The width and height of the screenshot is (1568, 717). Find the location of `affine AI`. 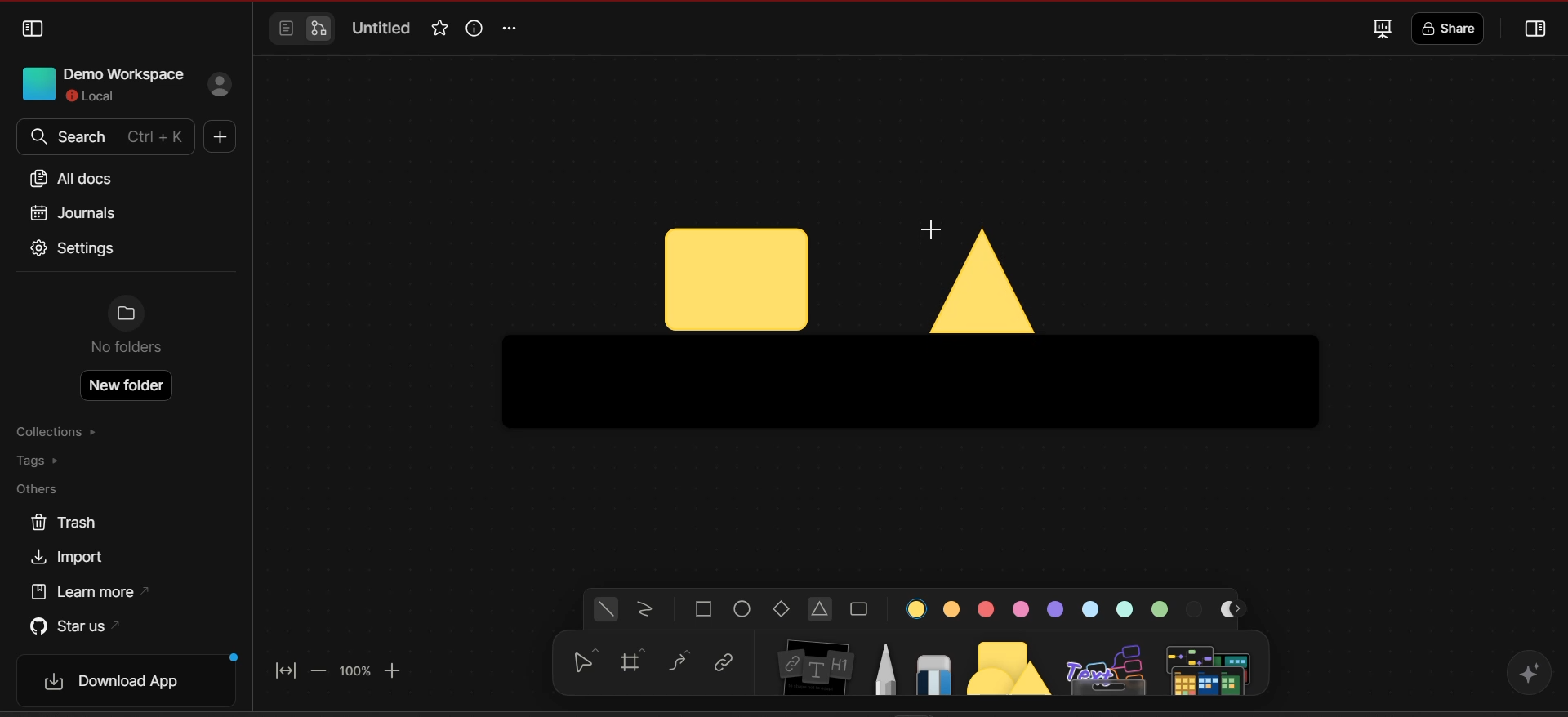

affine AI is located at coordinates (1529, 671).